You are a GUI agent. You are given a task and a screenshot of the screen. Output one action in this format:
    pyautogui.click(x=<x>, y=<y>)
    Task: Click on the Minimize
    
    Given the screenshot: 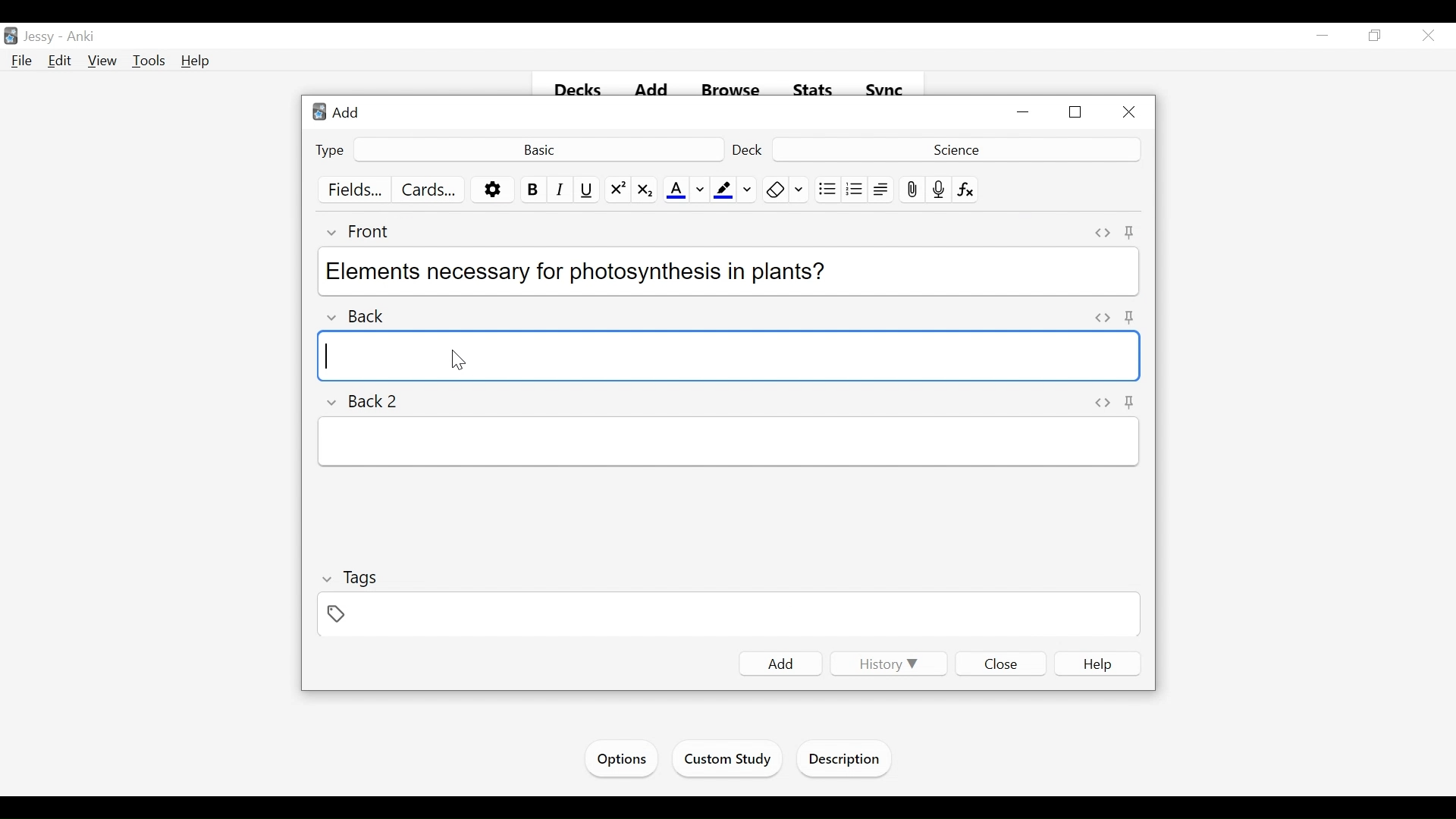 What is the action you would take?
    pyautogui.click(x=1025, y=113)
    